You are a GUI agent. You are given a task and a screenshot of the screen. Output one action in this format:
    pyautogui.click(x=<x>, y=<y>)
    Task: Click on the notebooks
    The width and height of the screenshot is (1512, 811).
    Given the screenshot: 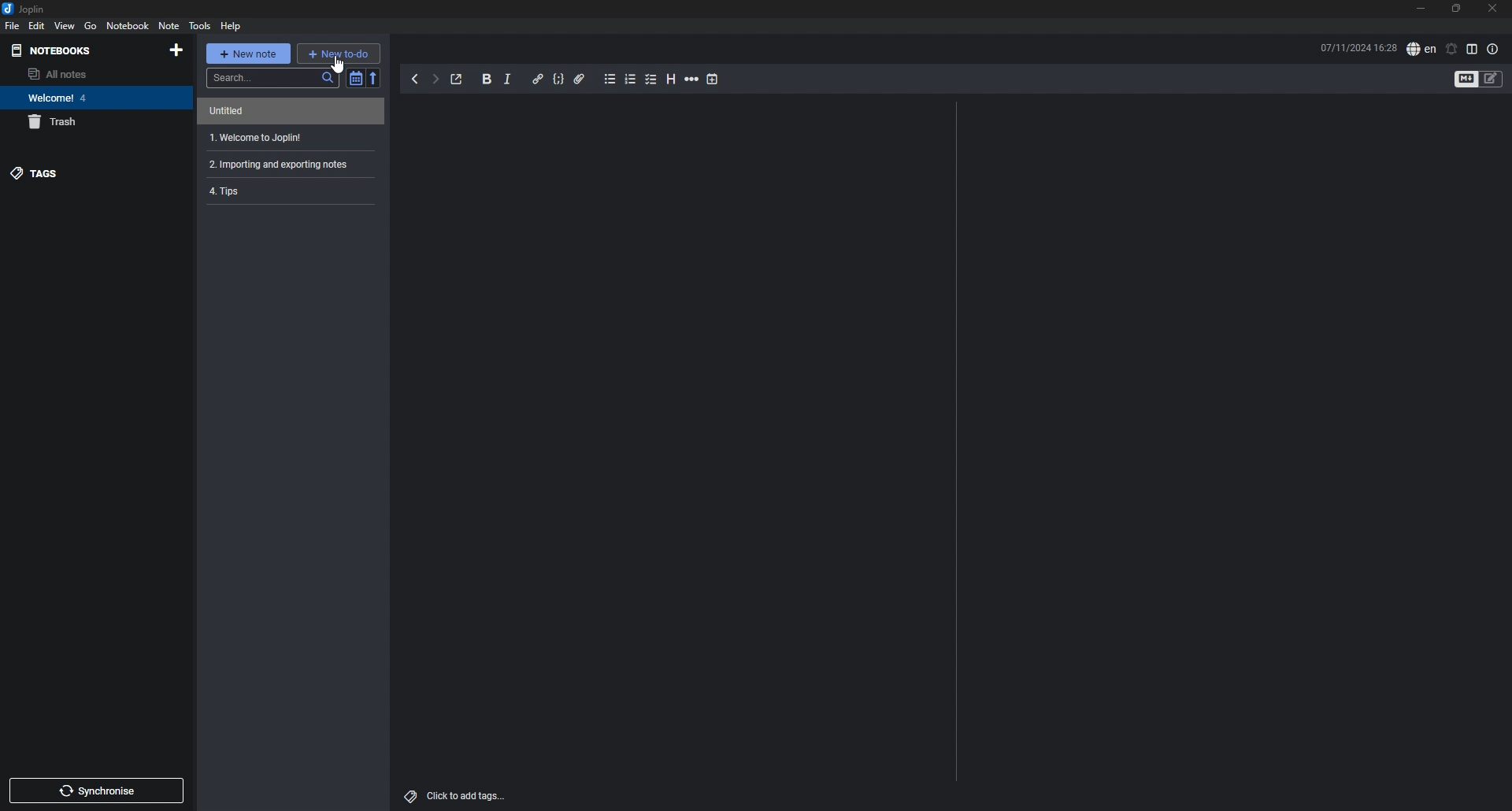 What is the action you would take?
    pyautogui.click(x=66, y=50)
    